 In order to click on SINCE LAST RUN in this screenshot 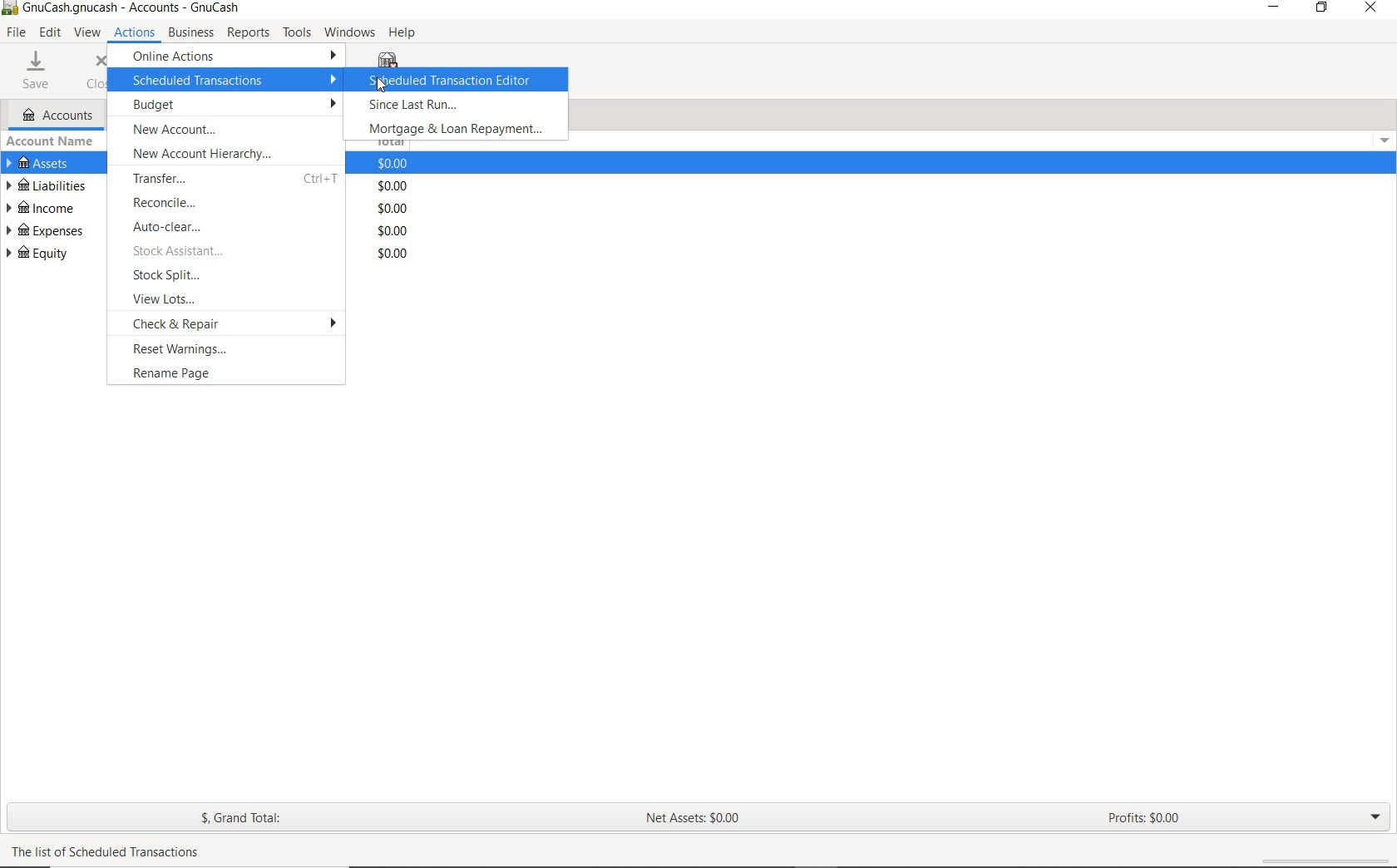, I will do `click(416, 106)`.